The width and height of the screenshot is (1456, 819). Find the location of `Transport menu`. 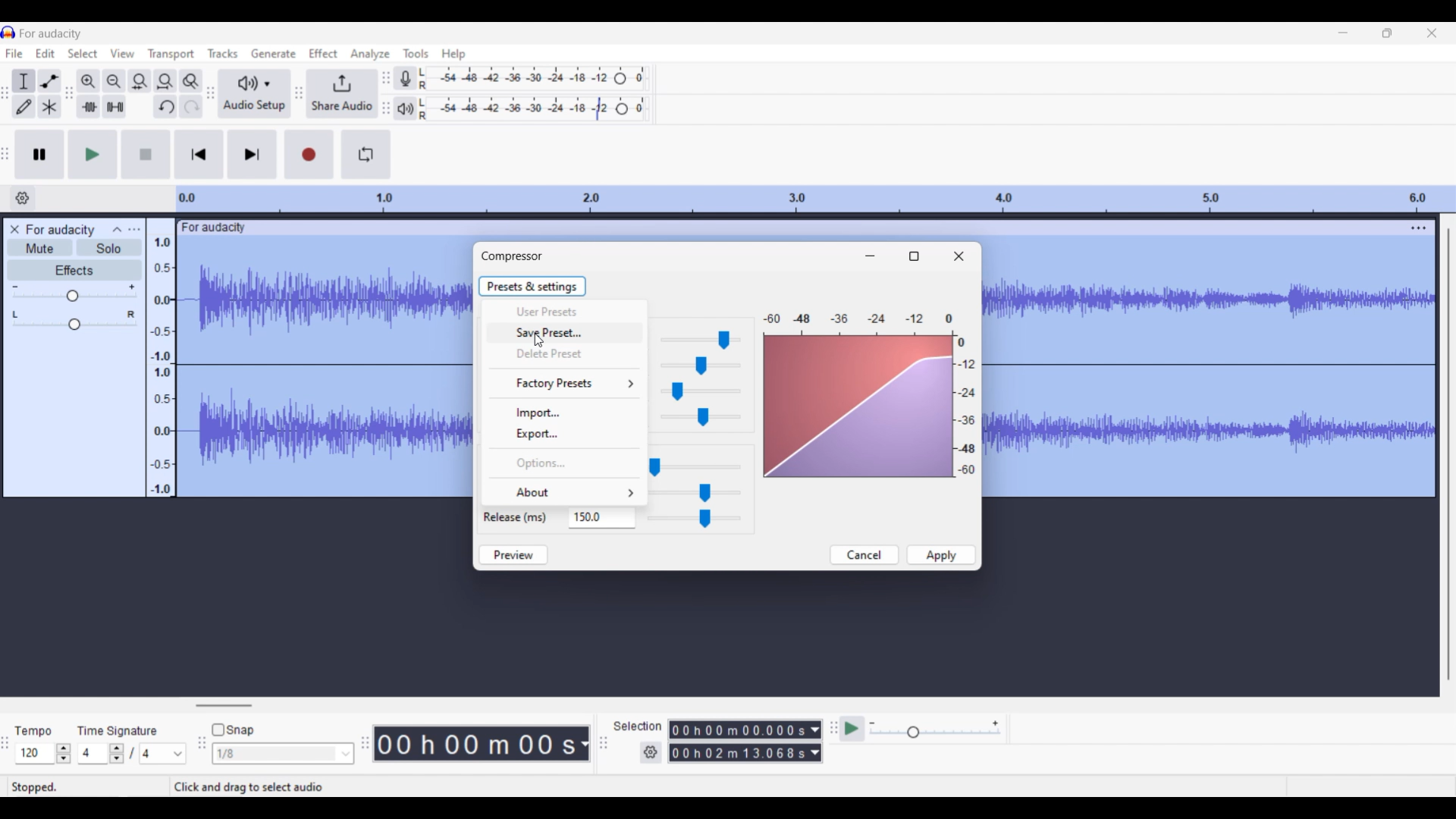

Transport menu is located at coordinates (171, 55).